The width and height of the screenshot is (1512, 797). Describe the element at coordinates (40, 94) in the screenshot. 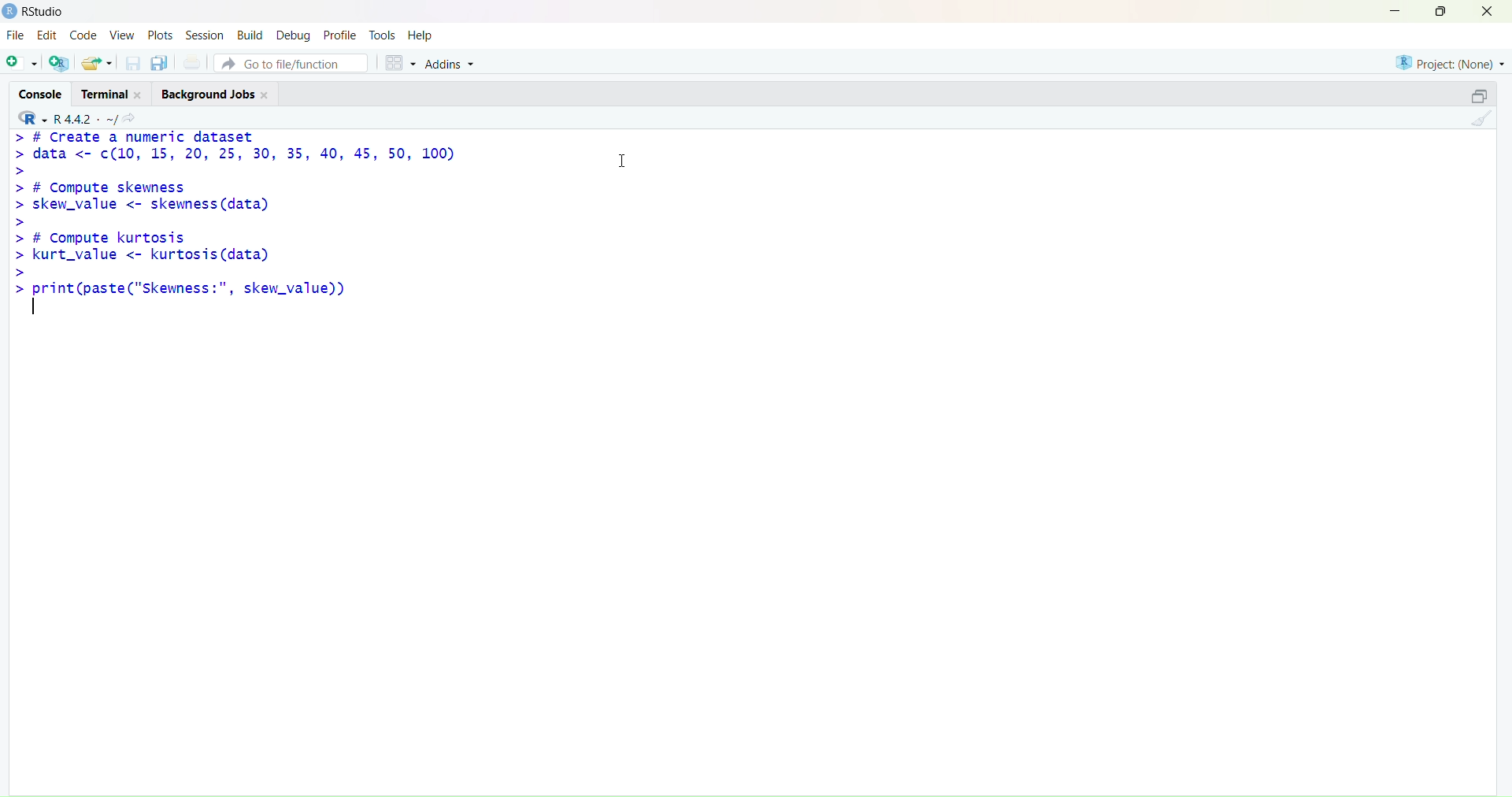

I see `Console` at that location.